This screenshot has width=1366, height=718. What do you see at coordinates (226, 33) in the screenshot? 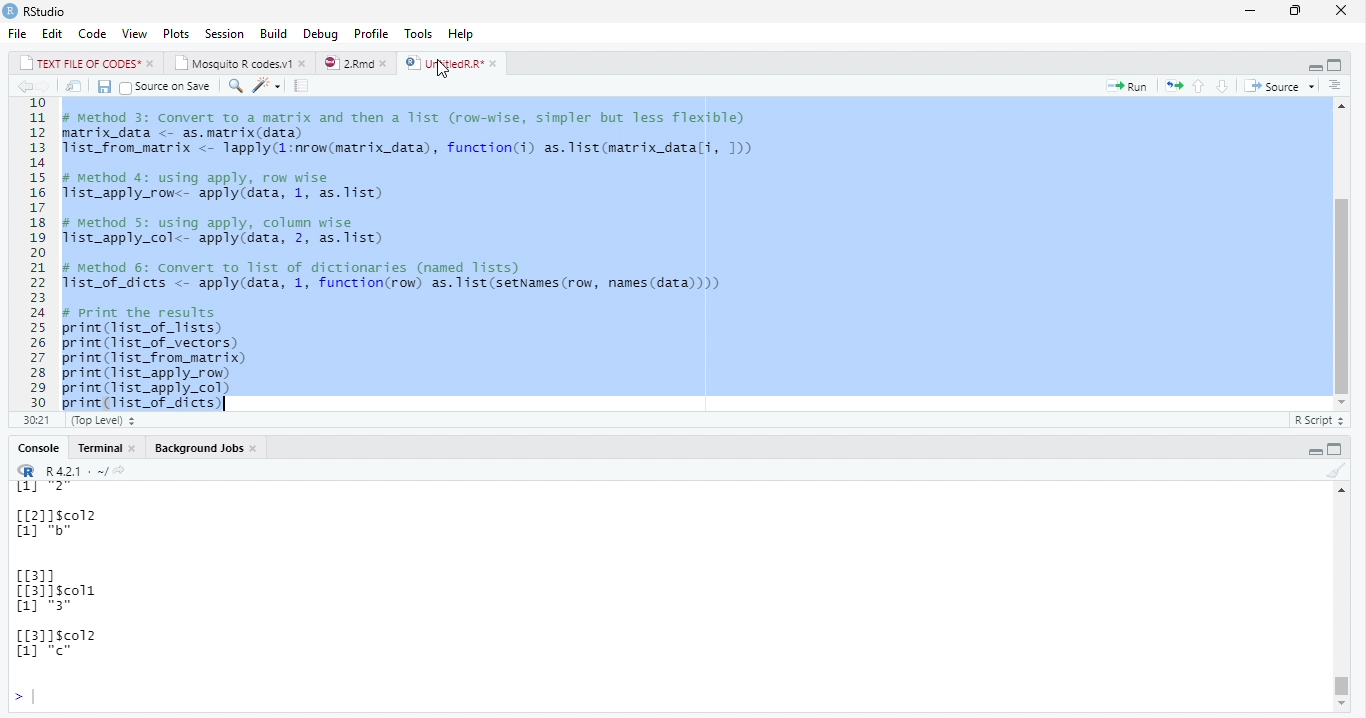
I see `Session` at bounding box center [226, 33].